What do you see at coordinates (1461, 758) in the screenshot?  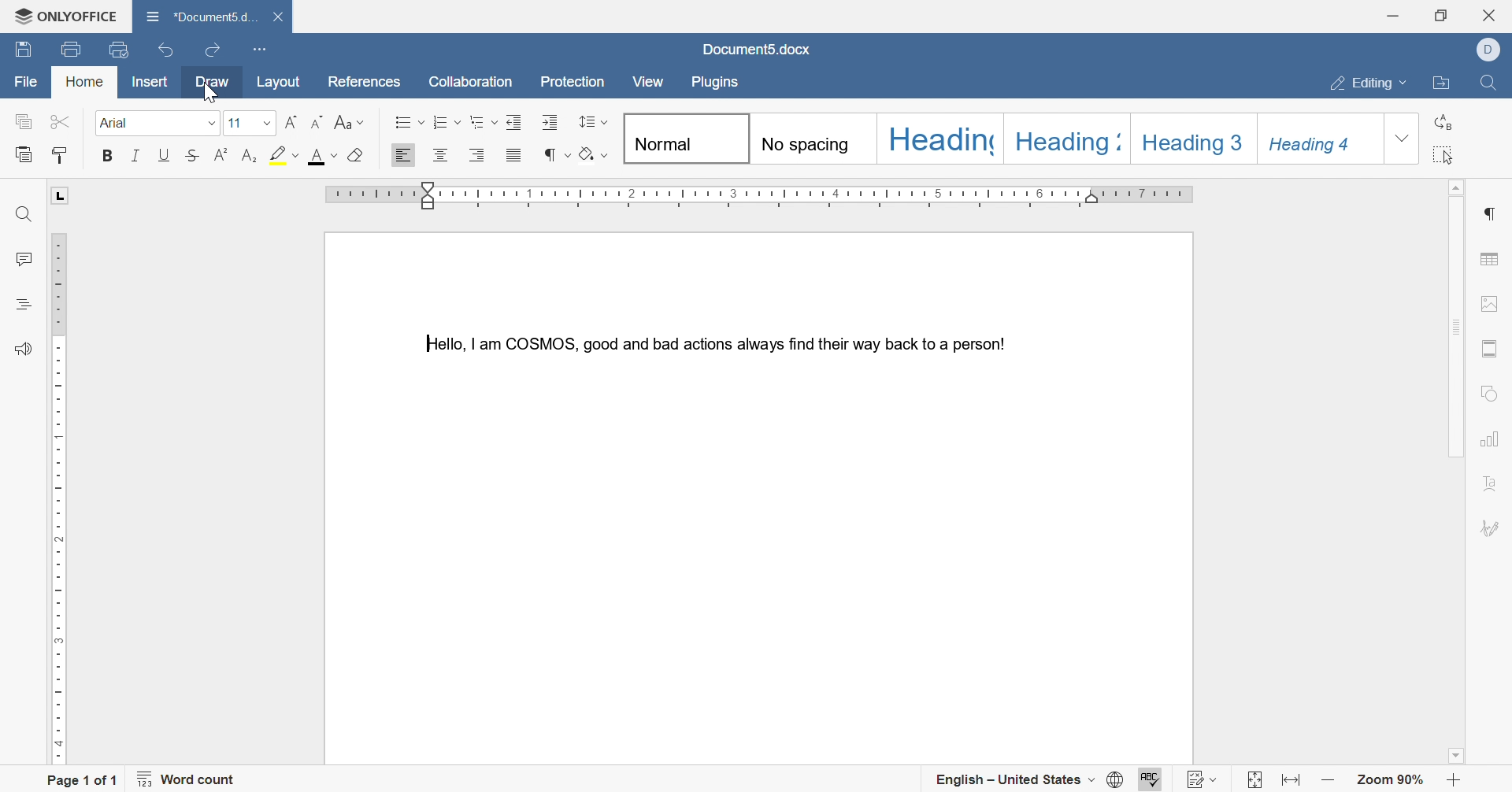 I see `scroll down` at bounding box center [1461, 758].